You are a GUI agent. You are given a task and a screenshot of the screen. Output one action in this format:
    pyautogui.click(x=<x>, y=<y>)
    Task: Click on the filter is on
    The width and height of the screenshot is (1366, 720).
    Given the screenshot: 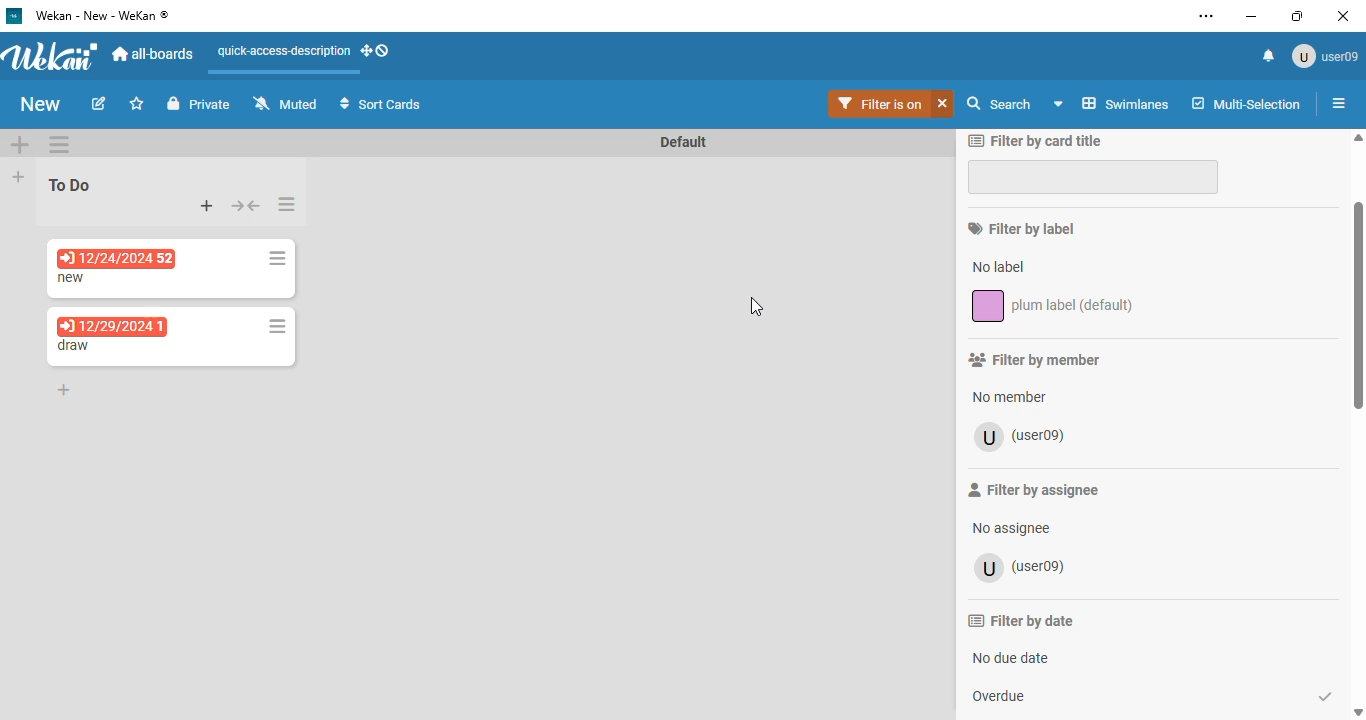 What is the action you would take?
    pyautogui.click(x=880, y=104)
    